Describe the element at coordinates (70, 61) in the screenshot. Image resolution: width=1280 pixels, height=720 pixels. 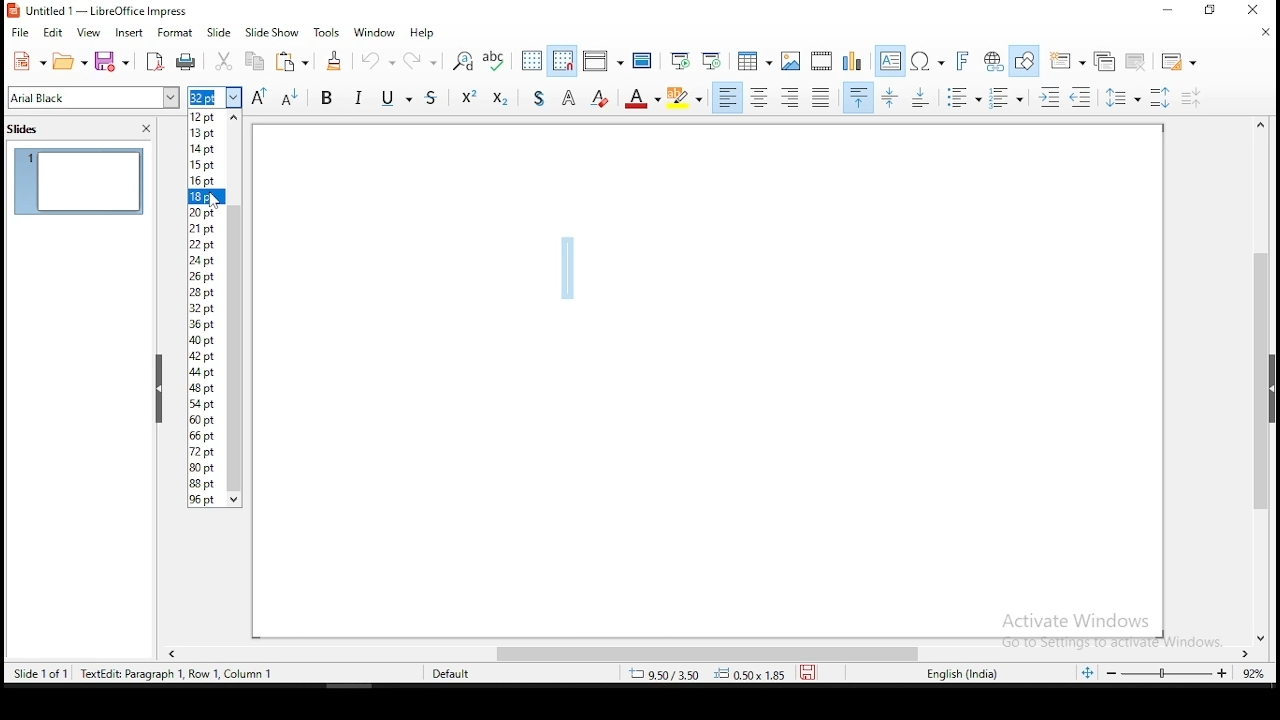
I see `open` at that location.